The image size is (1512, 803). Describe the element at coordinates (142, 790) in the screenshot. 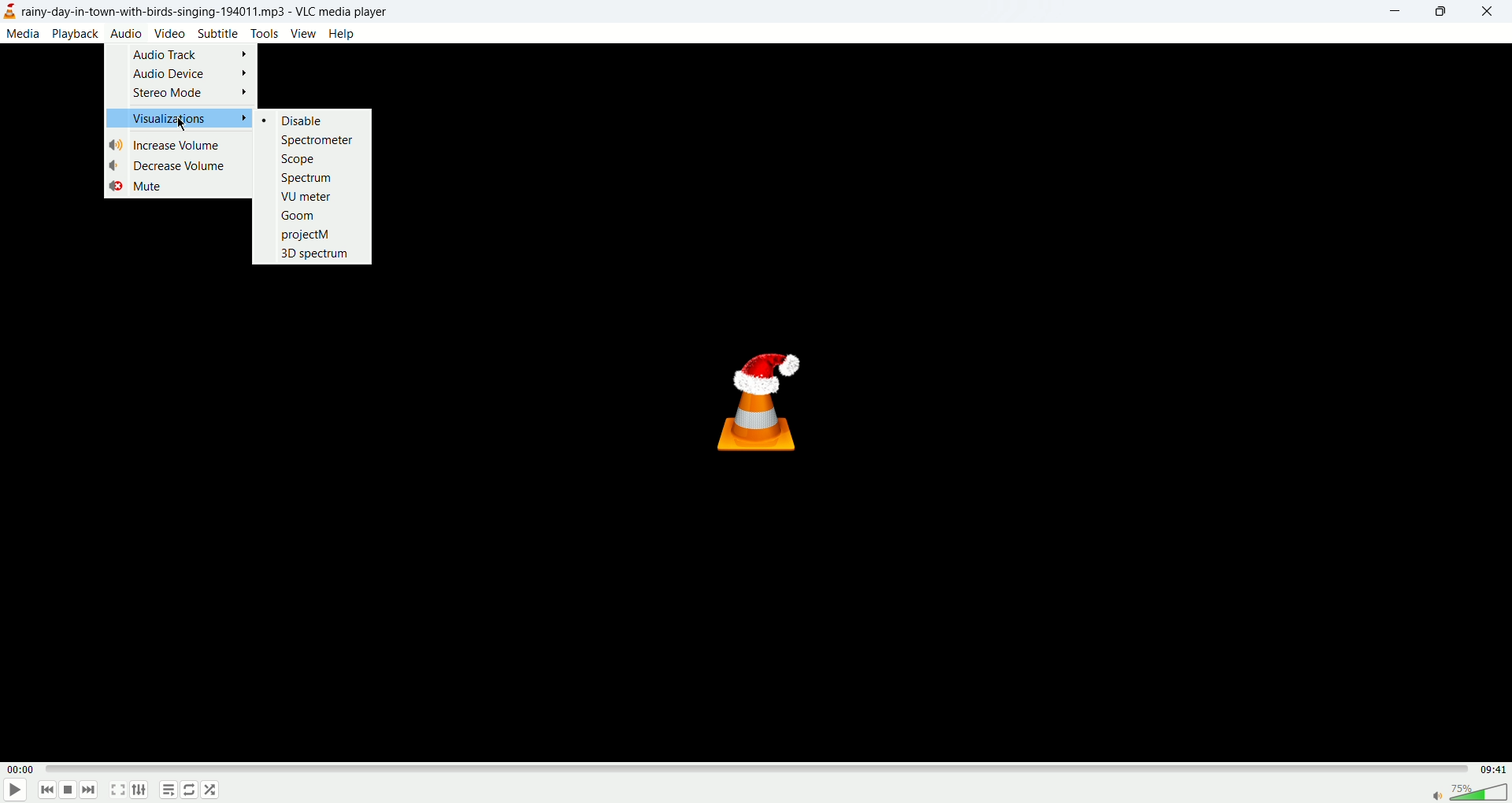

I see `extended settings` at that location.